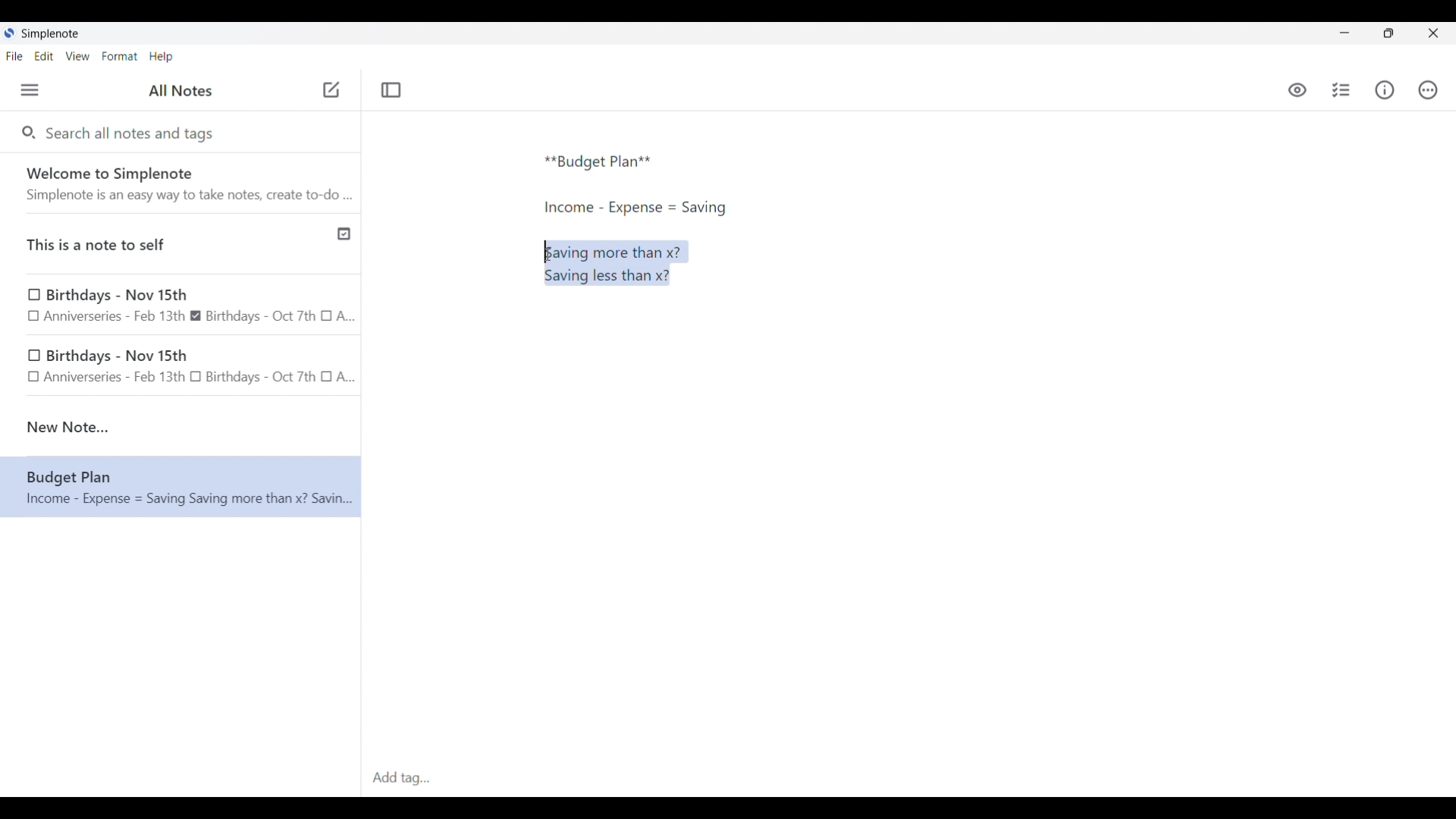 This screenshot has width=1456, height=819. What do you see at coordinates (180, 91) in the screenshot?
I see `Title of left side panel` at bounding box center [180, 91].